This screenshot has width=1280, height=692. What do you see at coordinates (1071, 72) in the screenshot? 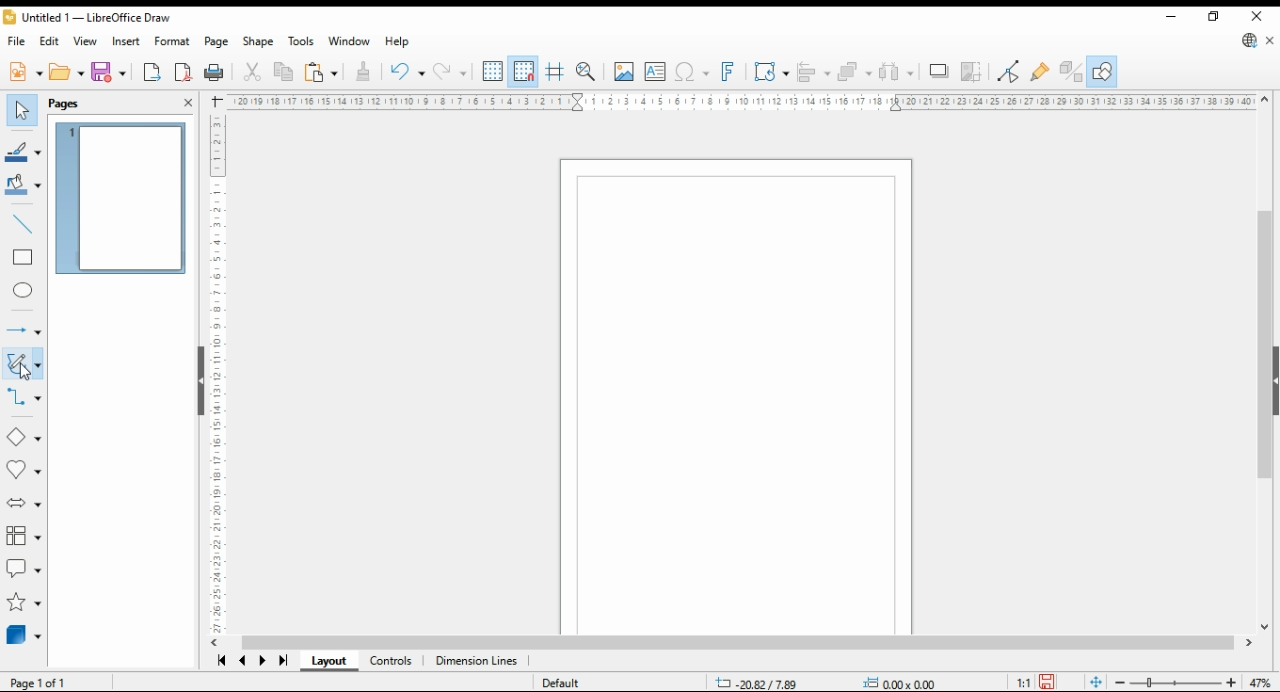
I see `toggle extrusions` at bounding box center [1071, 72].